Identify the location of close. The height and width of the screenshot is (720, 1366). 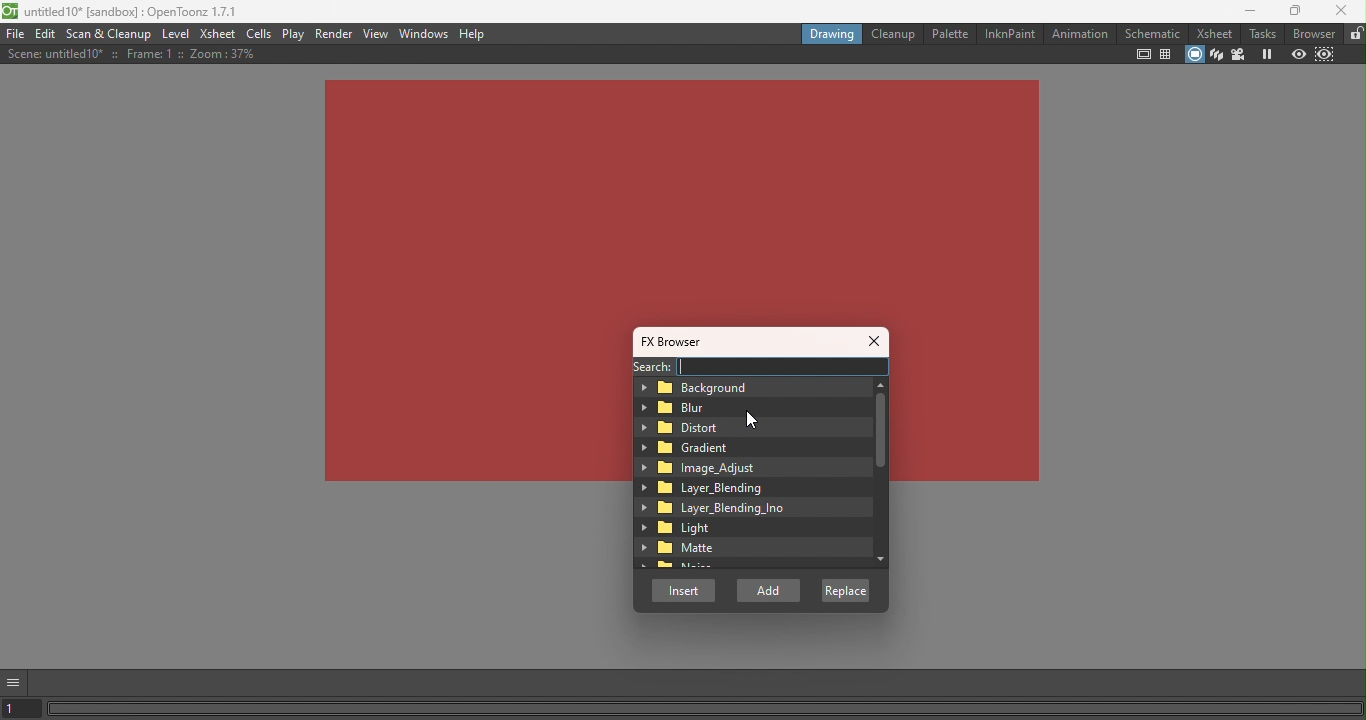
(1342, 9).